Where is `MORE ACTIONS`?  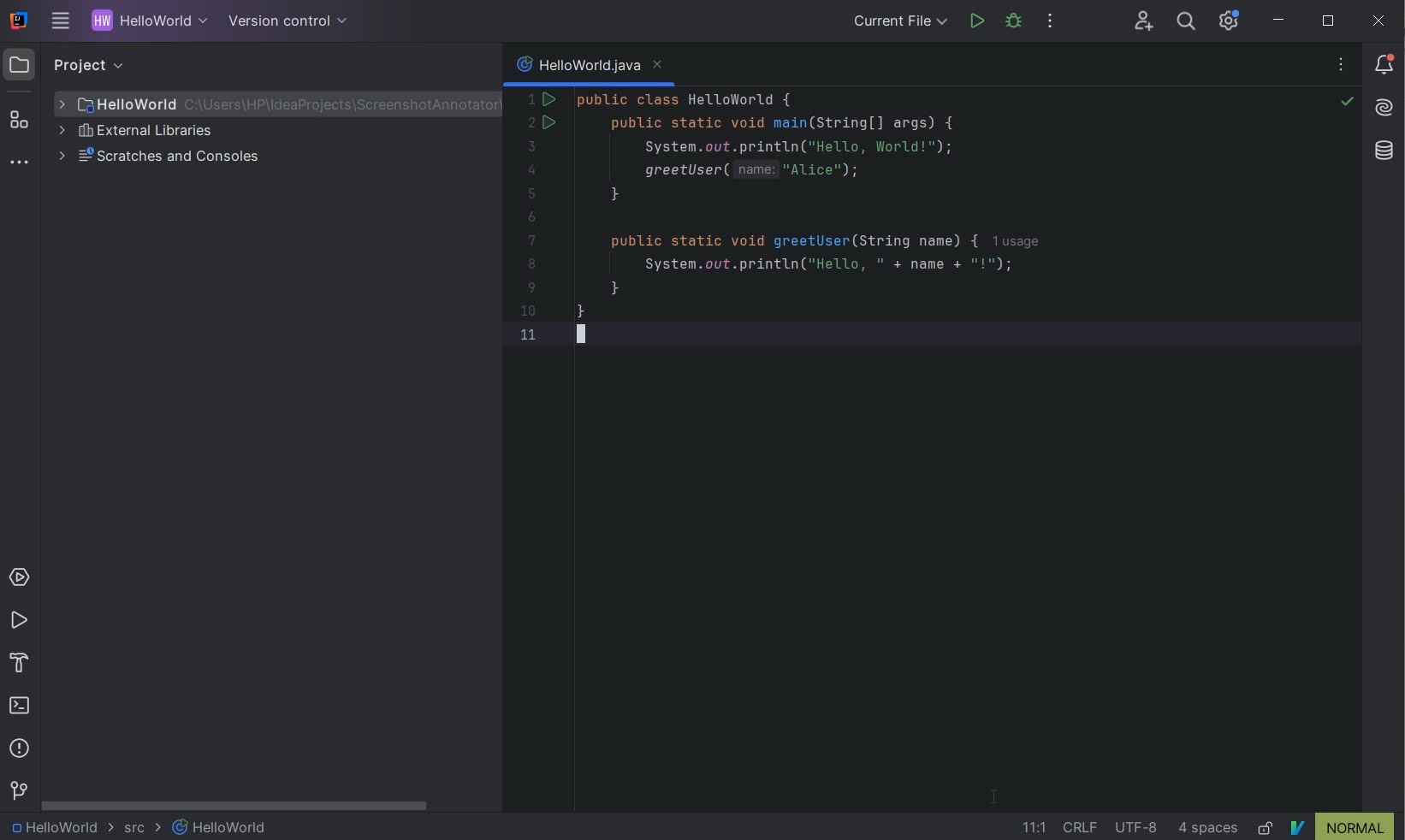 MORE ACTIONS is located at coordinates (1051, 25).